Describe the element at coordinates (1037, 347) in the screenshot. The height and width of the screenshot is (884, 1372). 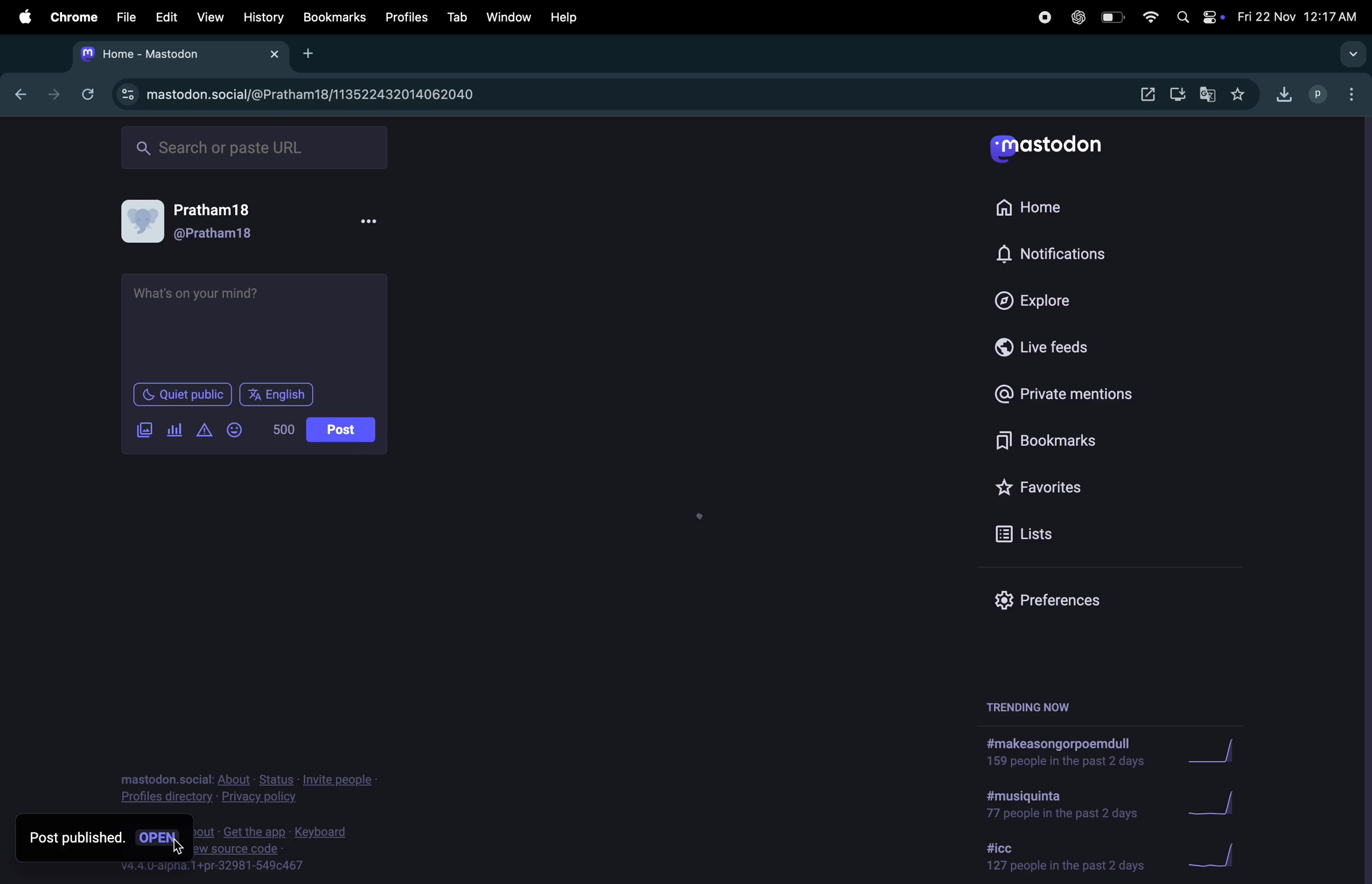
I see `live feed` at that location.